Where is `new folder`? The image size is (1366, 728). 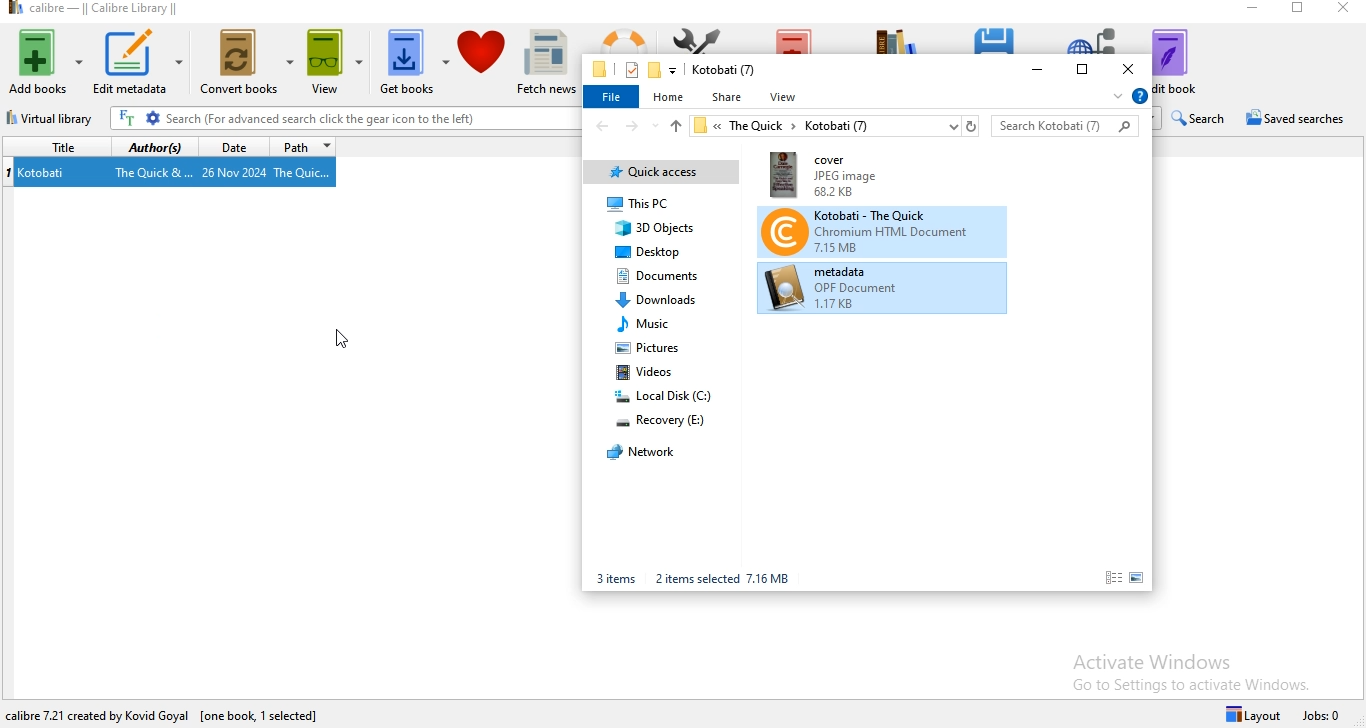 new folder is located at coordinates (654, 69).